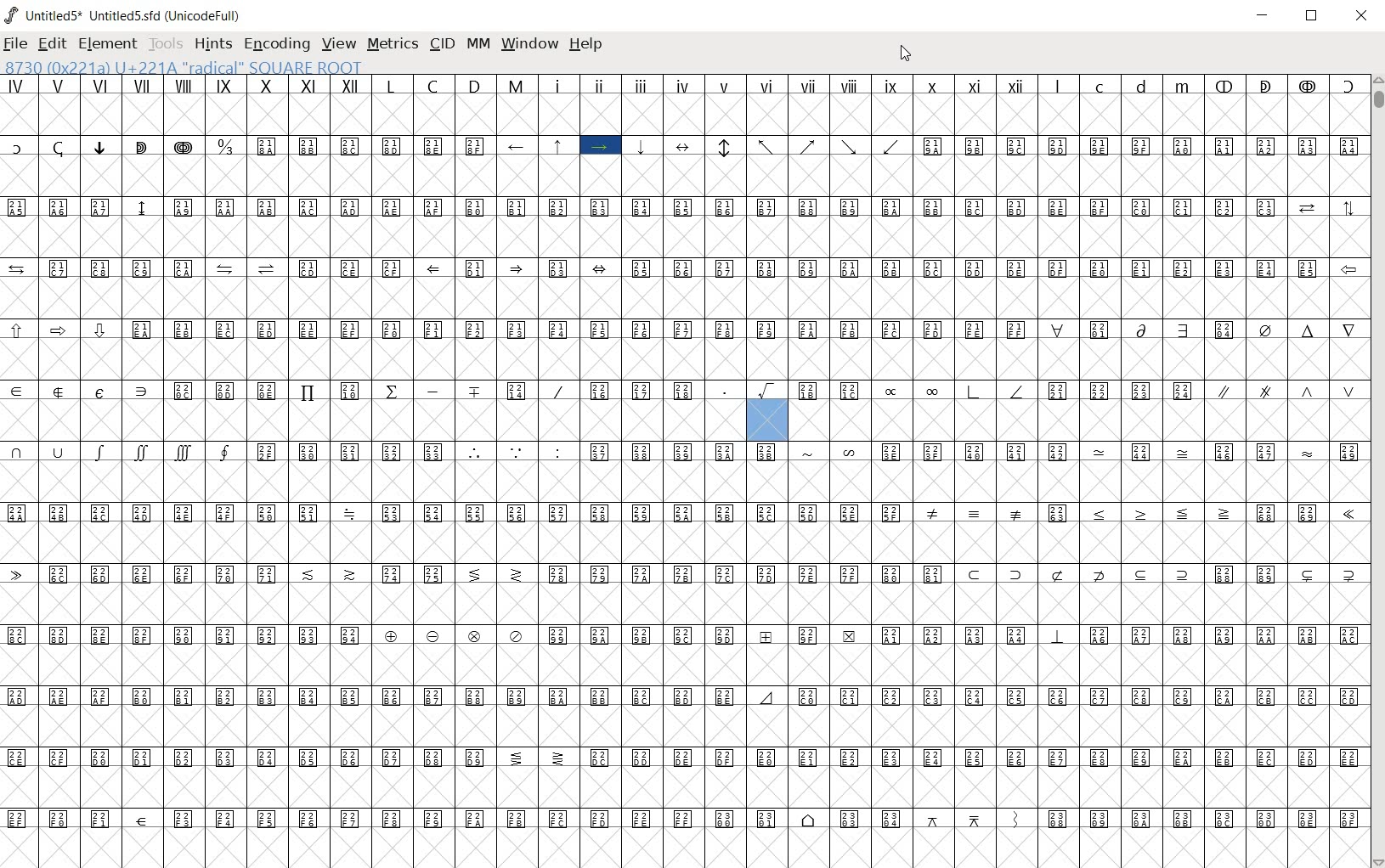  Describe the element at coordinates (1362, 15) in the screenshot. I see `CLOSE` at that location.